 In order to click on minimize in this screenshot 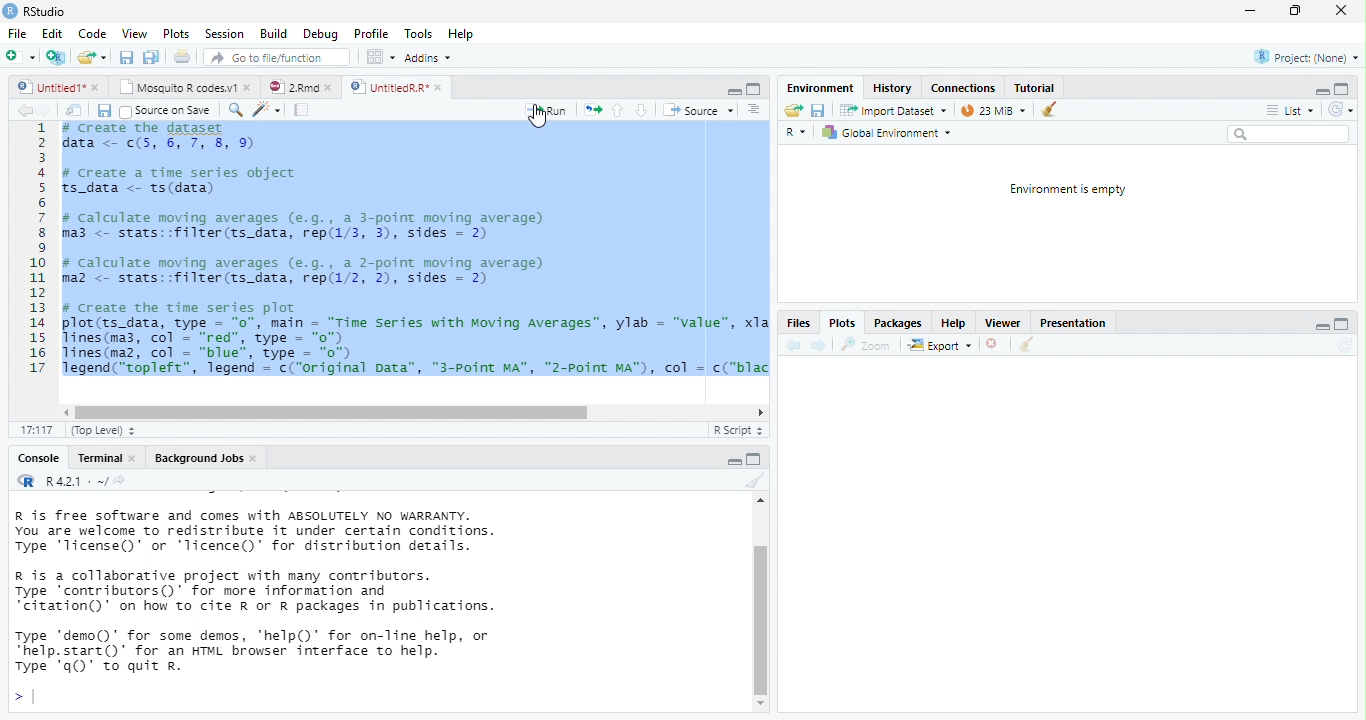, I will do `click(754, 458)`.